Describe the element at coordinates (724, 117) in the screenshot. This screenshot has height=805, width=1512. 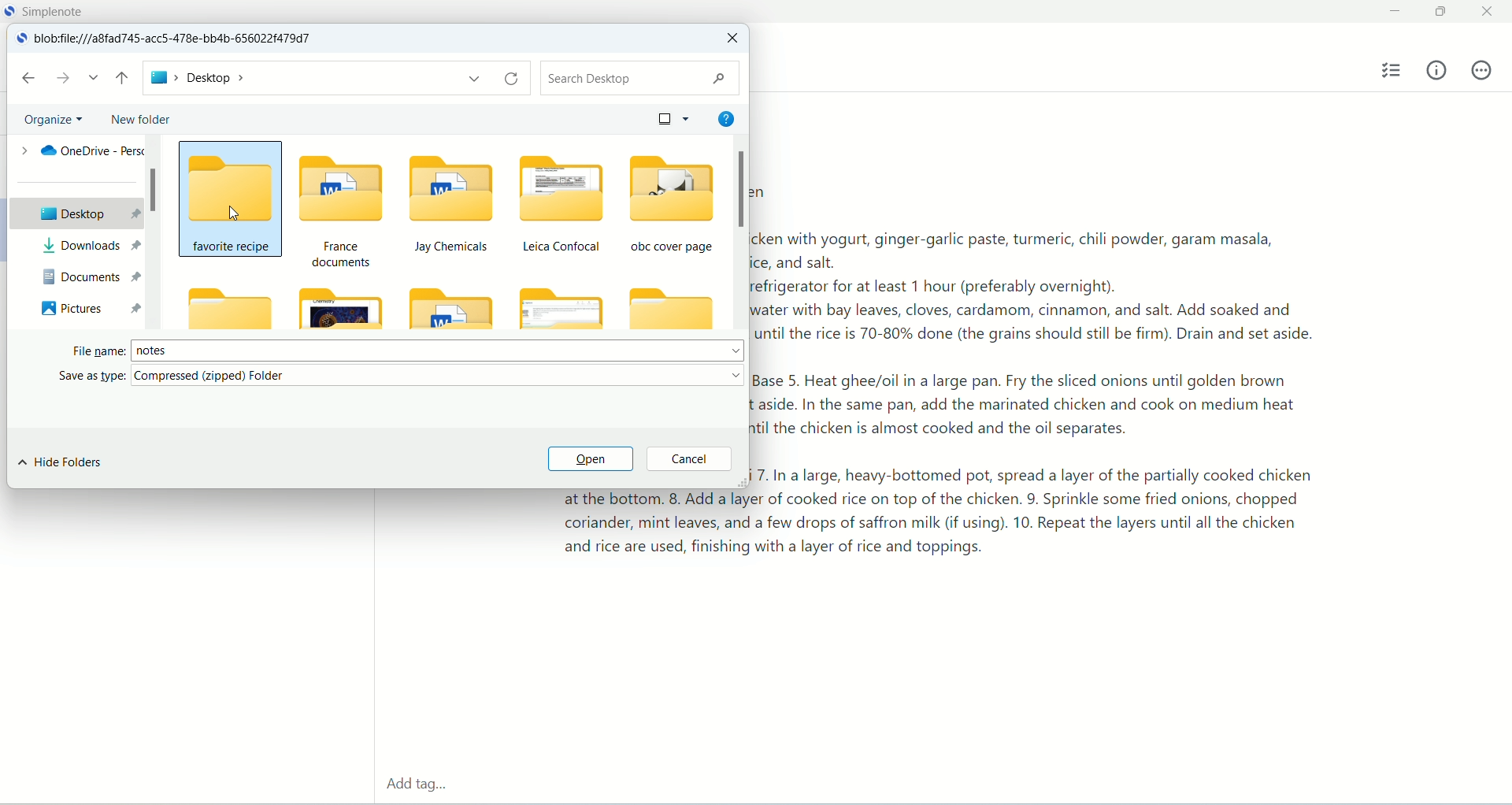
I see `help` at that location.